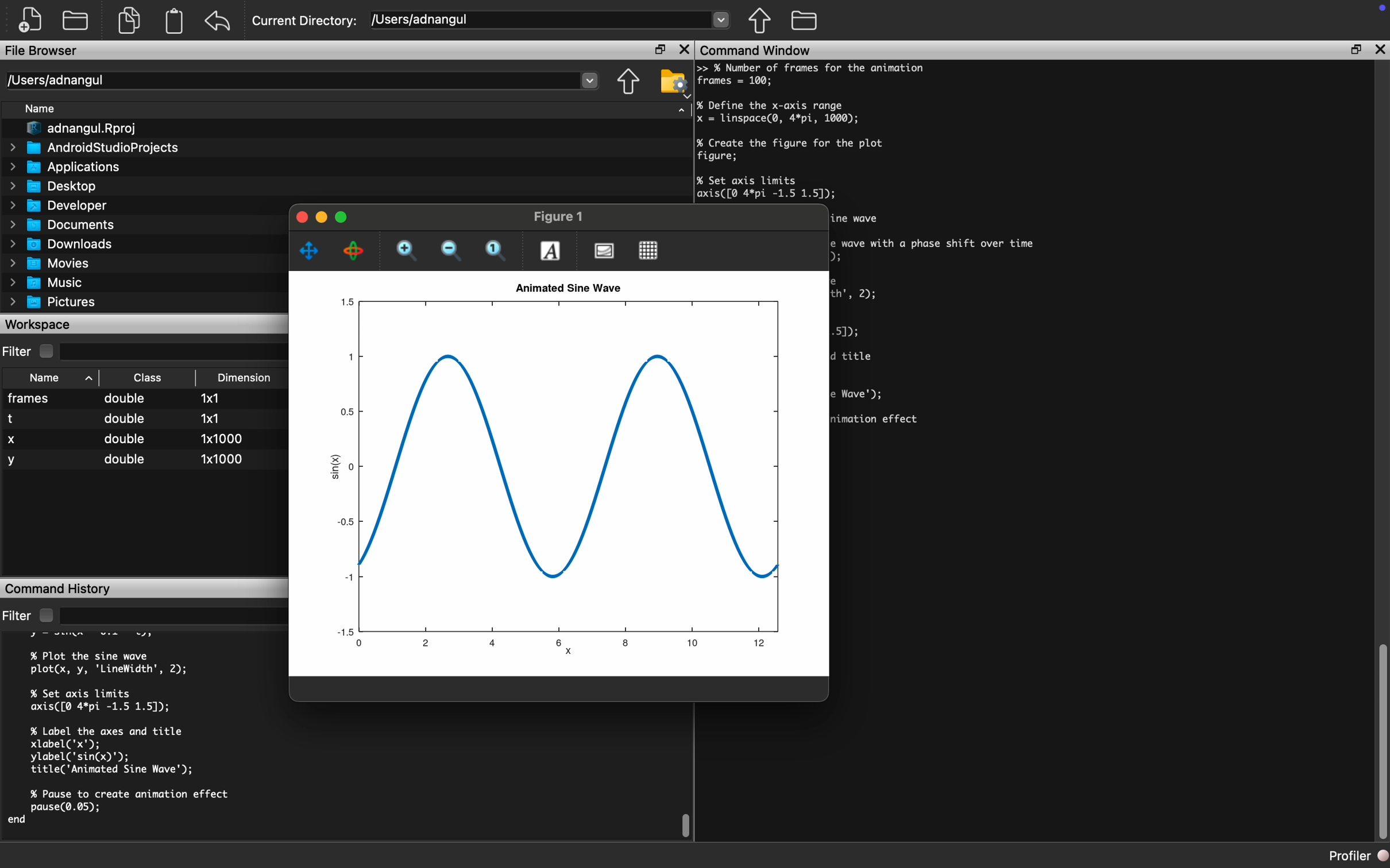 The height and width of the screenshot is (868, 1390). I want to click on Font, so click(551, 251).